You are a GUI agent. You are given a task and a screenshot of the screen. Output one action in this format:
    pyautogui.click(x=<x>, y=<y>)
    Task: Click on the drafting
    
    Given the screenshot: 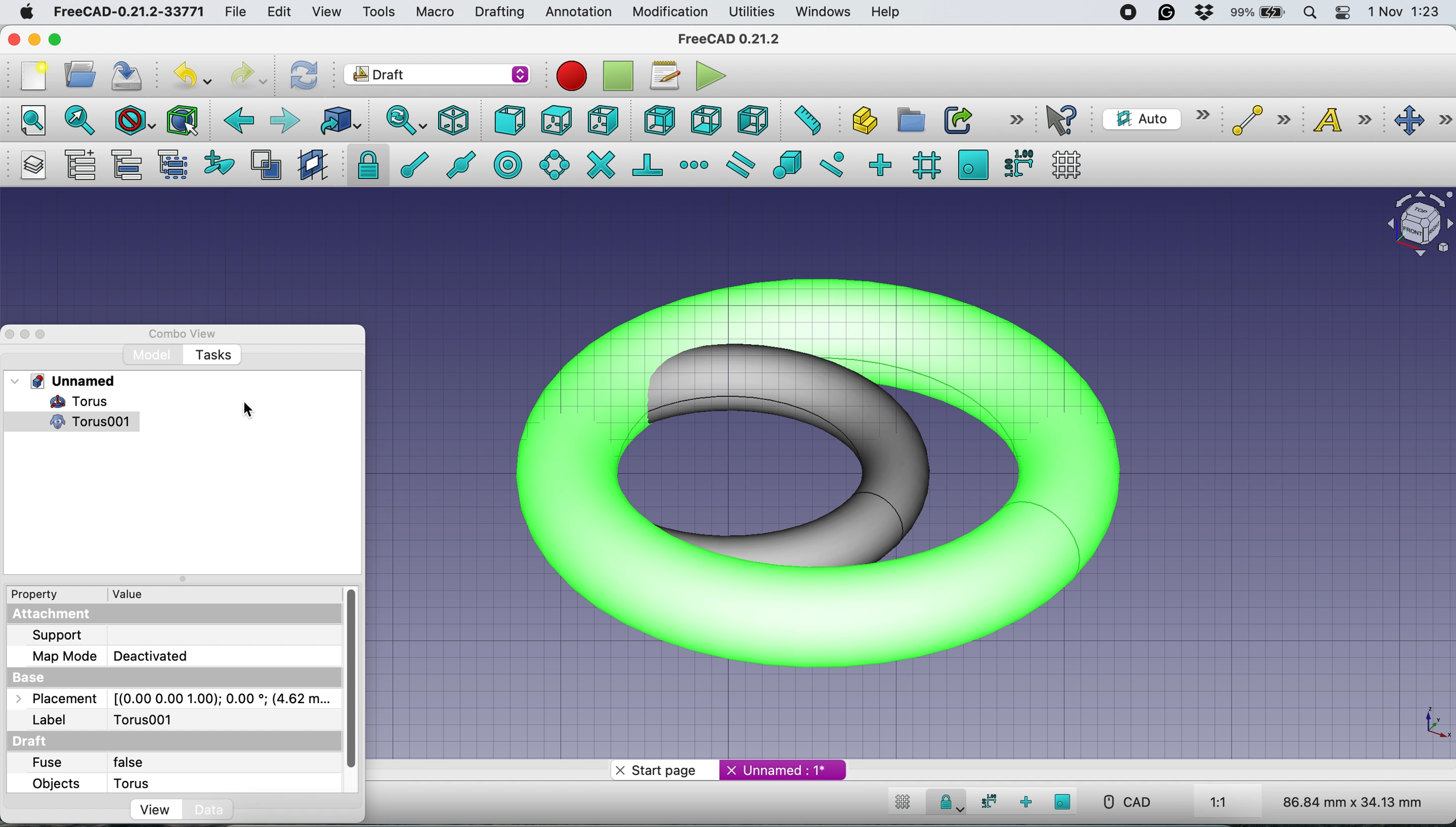 What is the action you would take?
    pyautogui.click(x=499, y=13)
    